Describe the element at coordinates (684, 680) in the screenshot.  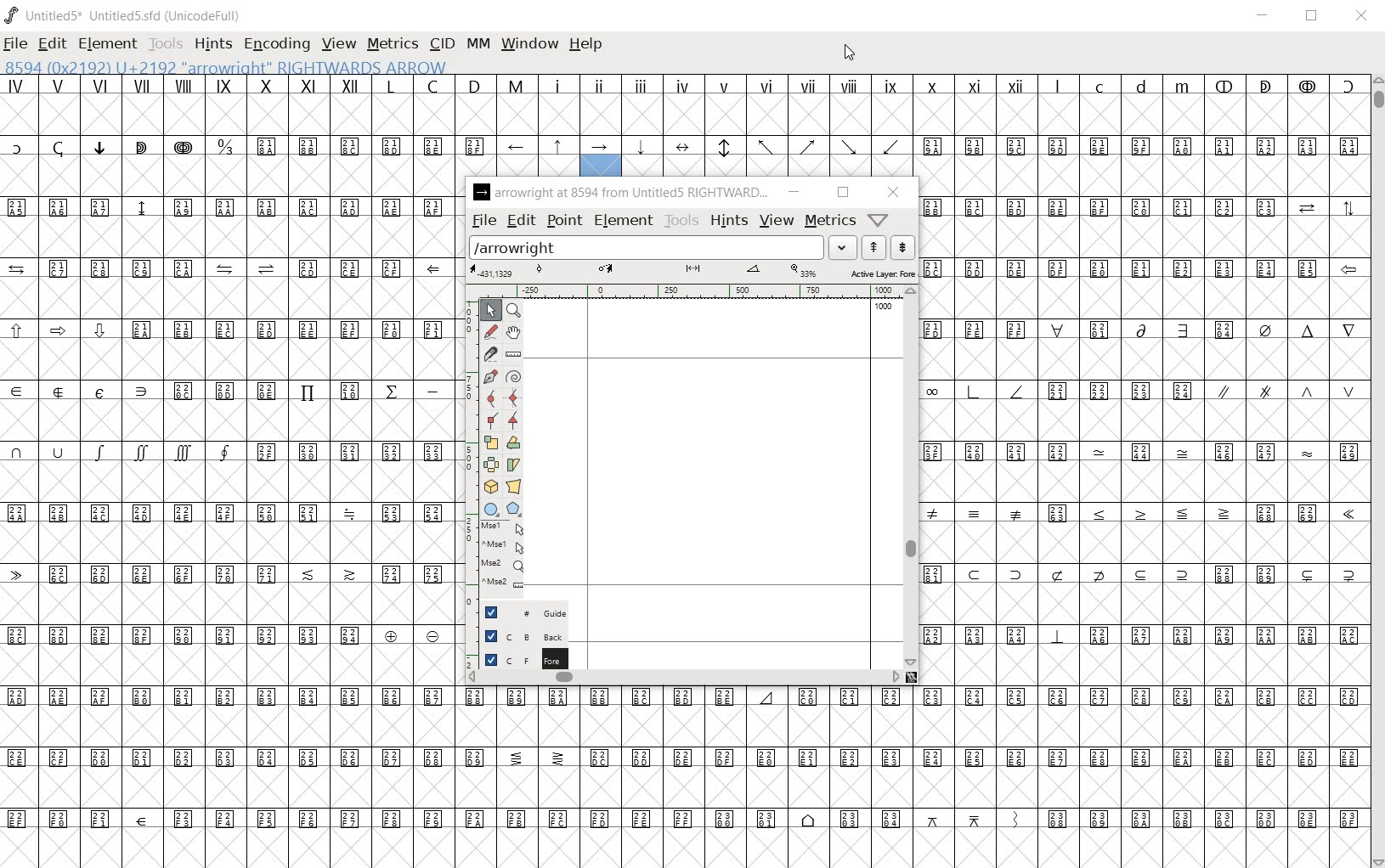
I see `scrollbar` at that location.